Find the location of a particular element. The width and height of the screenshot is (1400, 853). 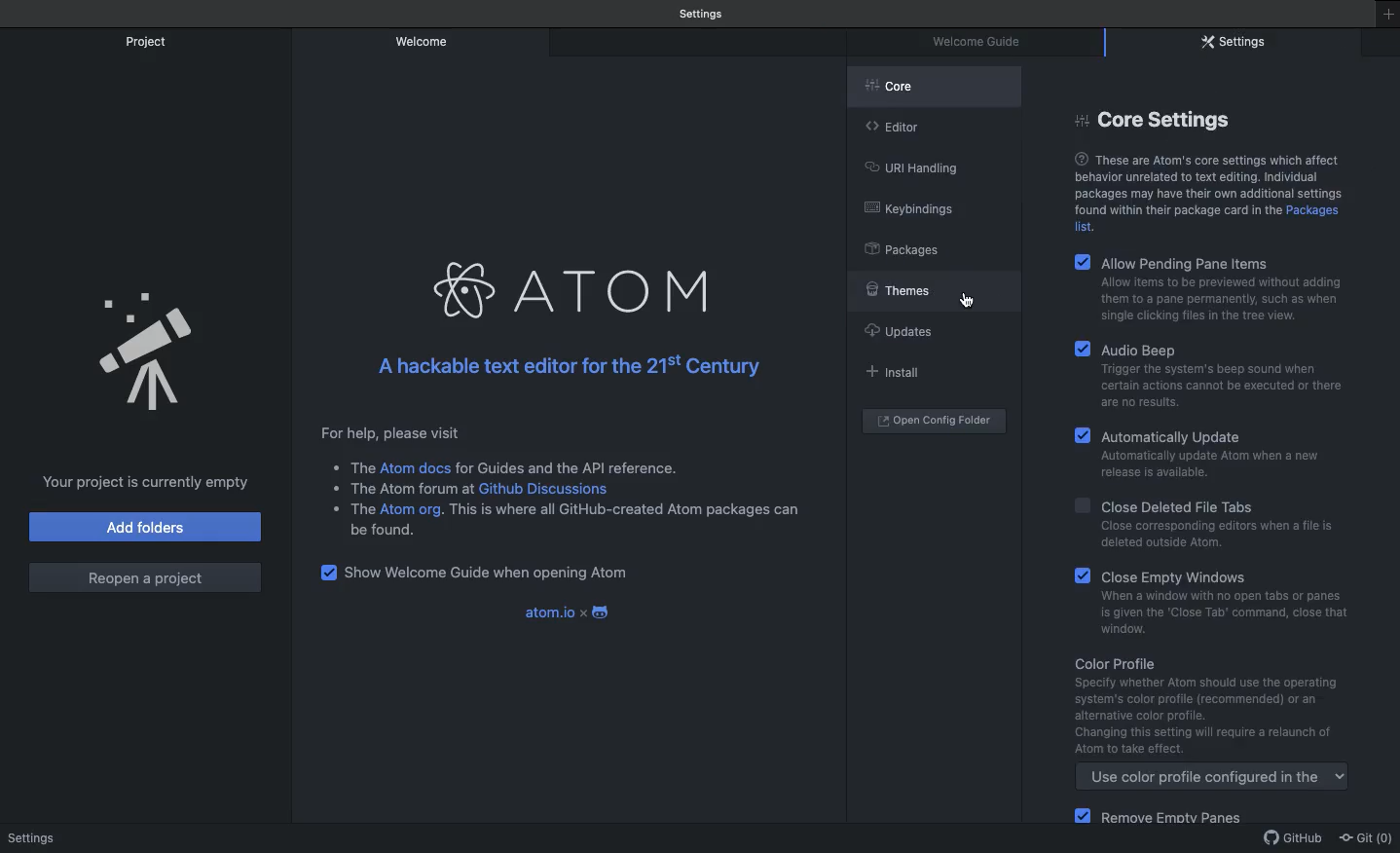

cursor is located at coordinates (971, 304).